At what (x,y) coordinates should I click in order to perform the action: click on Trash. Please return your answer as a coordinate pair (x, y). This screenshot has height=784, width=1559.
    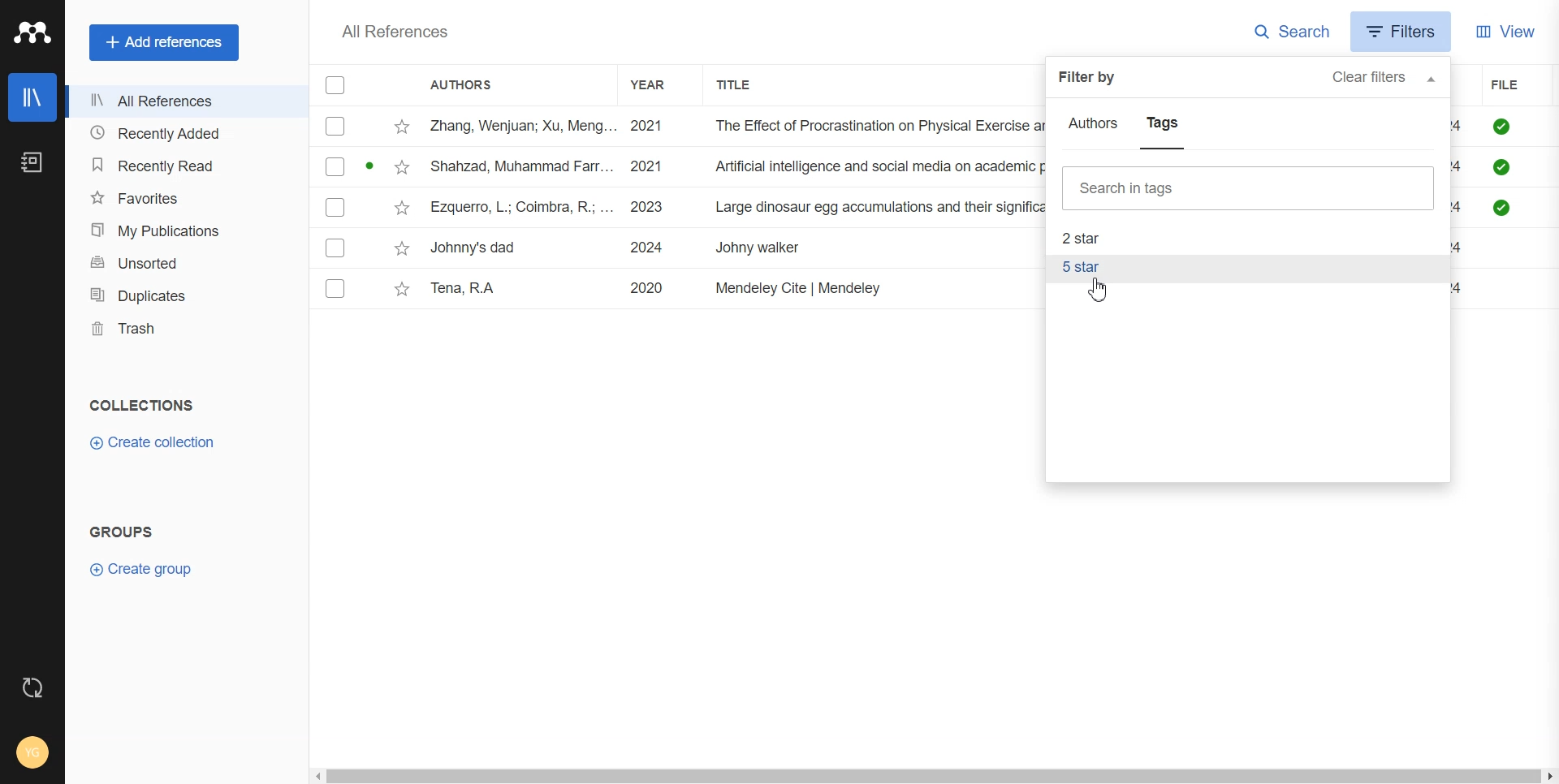
    Looking at the image, I should click on (184, 329).